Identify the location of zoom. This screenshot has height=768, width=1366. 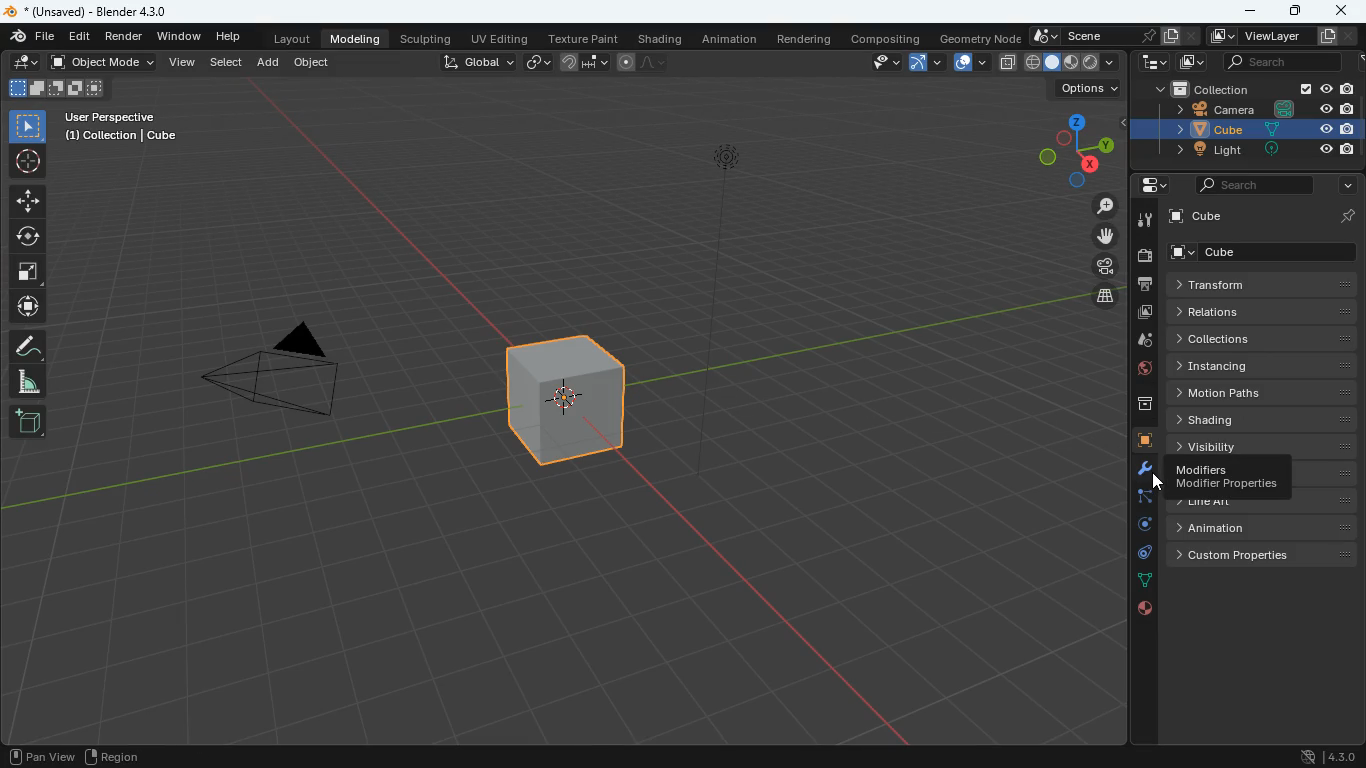
(1107, 207).